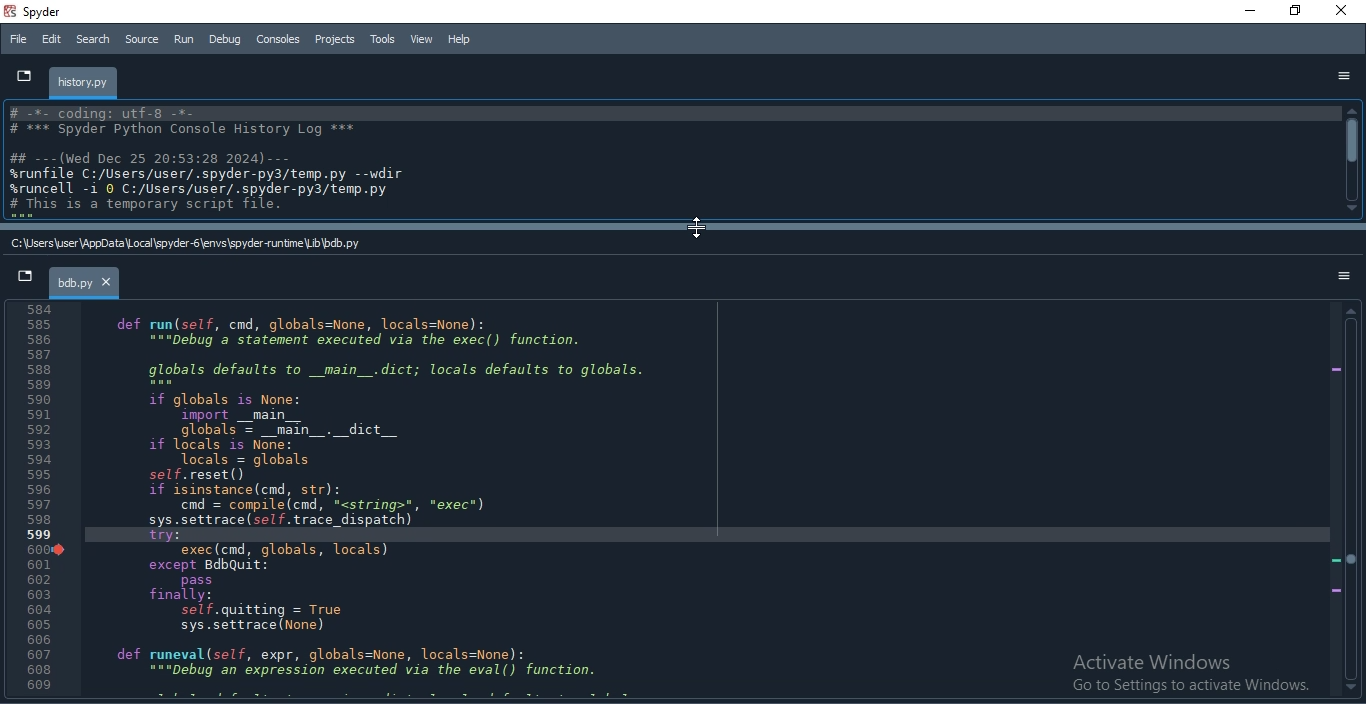 The height and width of the screenshot is (704, 1366). What do you see at coordinates (1176, 674) in the screenshot?
I see `Activate Windows
Go to Settings to activate Windows.` at bounding box center [1176, 674].